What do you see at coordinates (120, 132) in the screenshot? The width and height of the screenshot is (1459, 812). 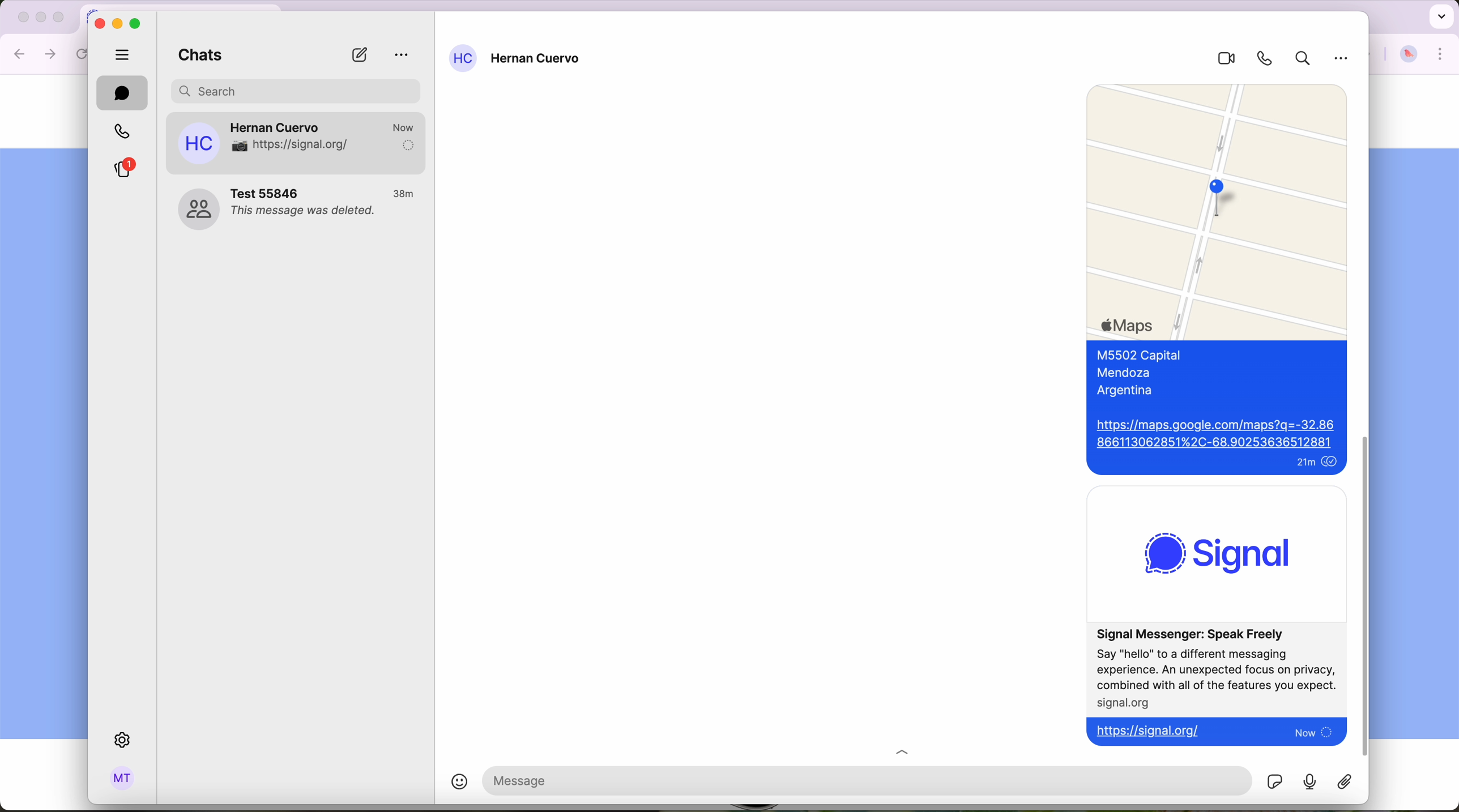 I see `calls` at bounding box center [120, 132].